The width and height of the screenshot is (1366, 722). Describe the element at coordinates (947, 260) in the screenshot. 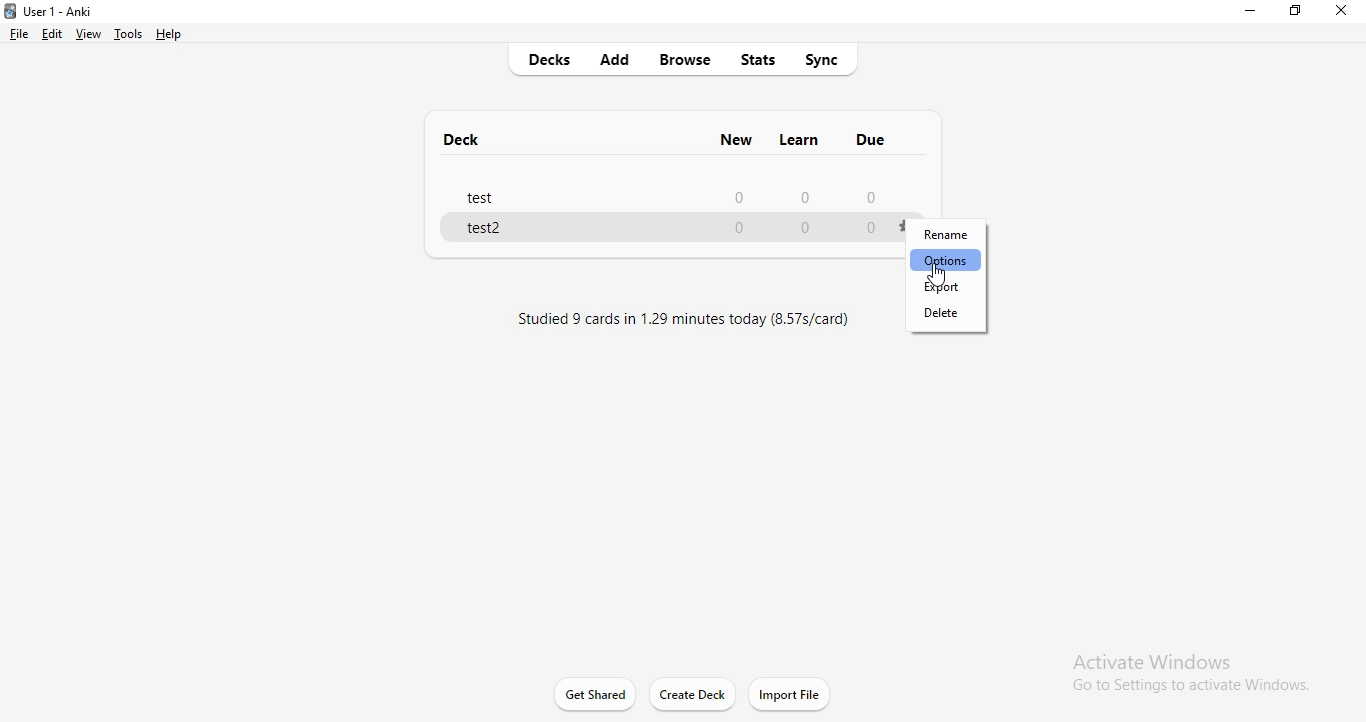

I see `options` at that location.